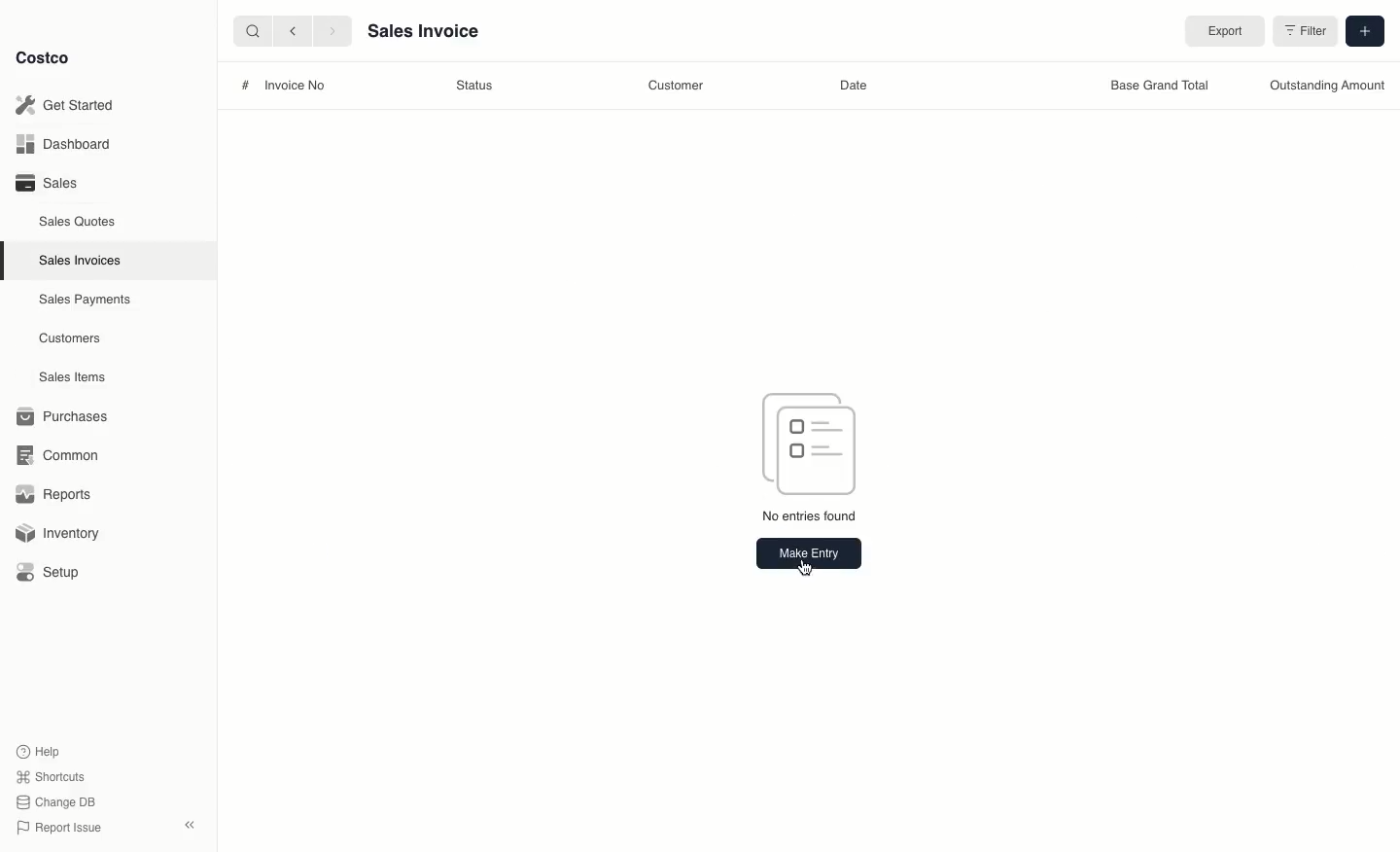 Image resolution: width=1400 pixels, height=852 pixels. What do you see at coordinates (332, 32) in the screenshot?
I see `Forward` at bounding box center [332, 32].